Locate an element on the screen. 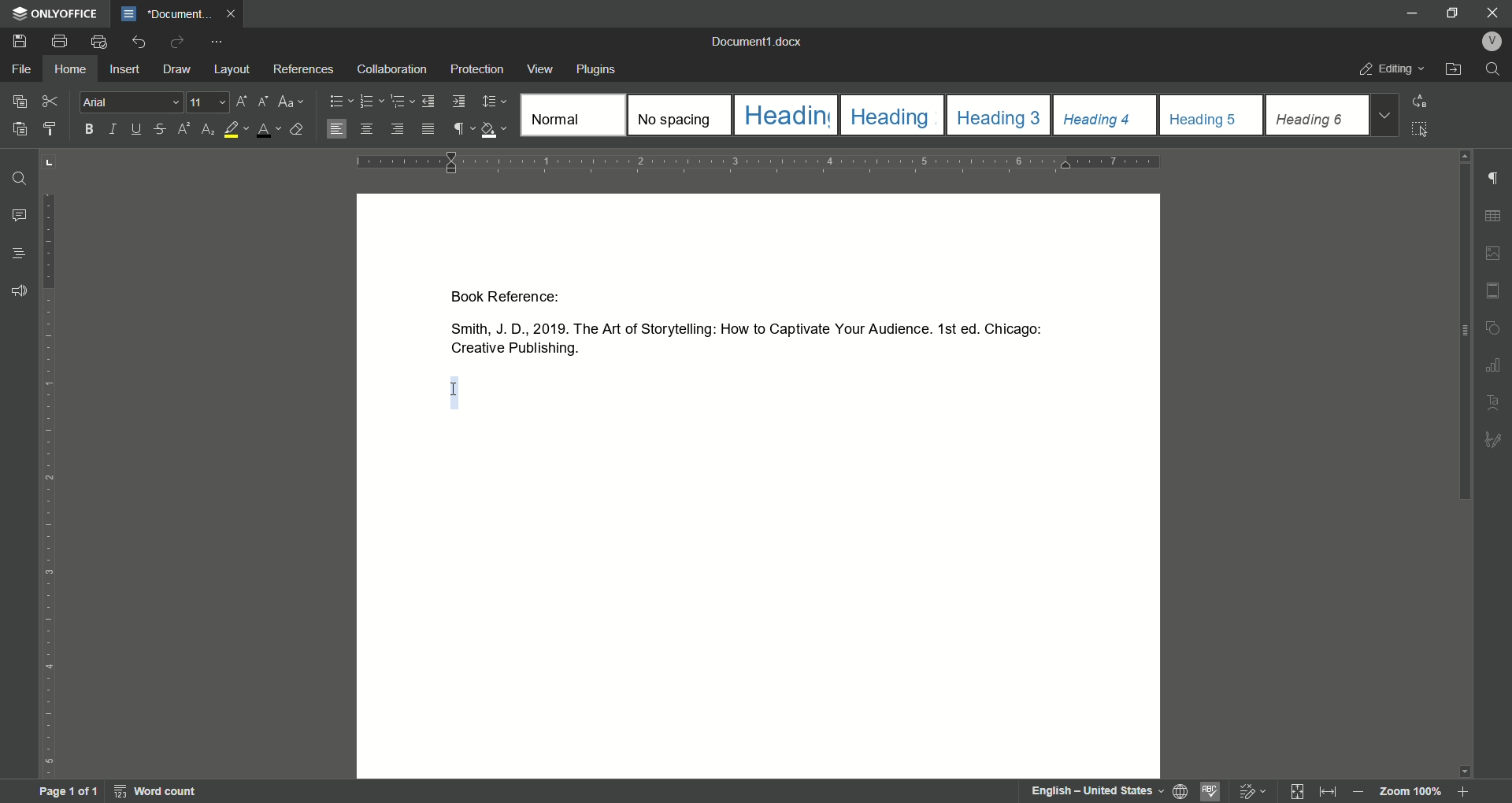 The width and height of the screenshot is (1512, 803). document name is located at coordinates (757, 40).